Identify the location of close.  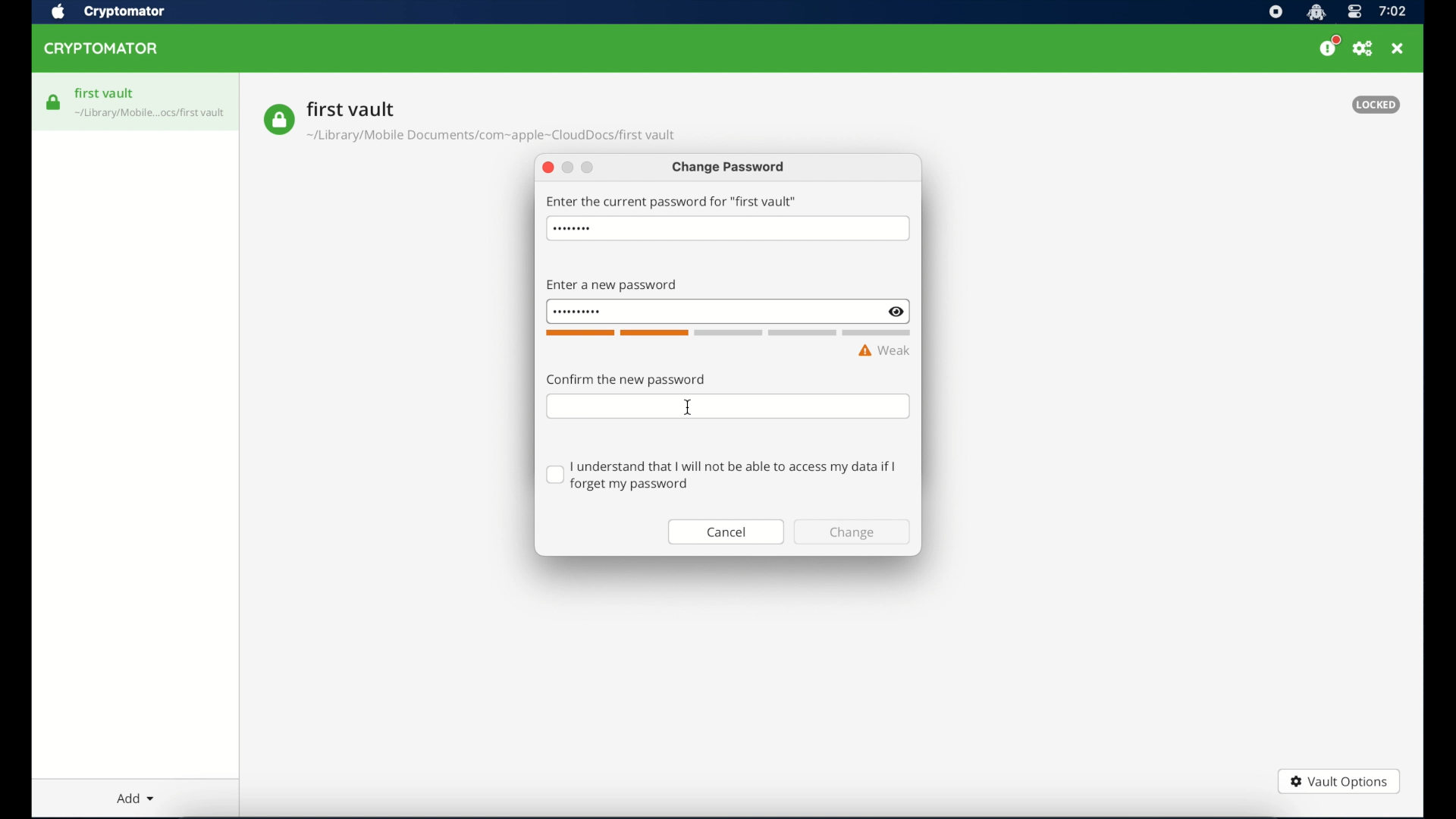
(548, 168).